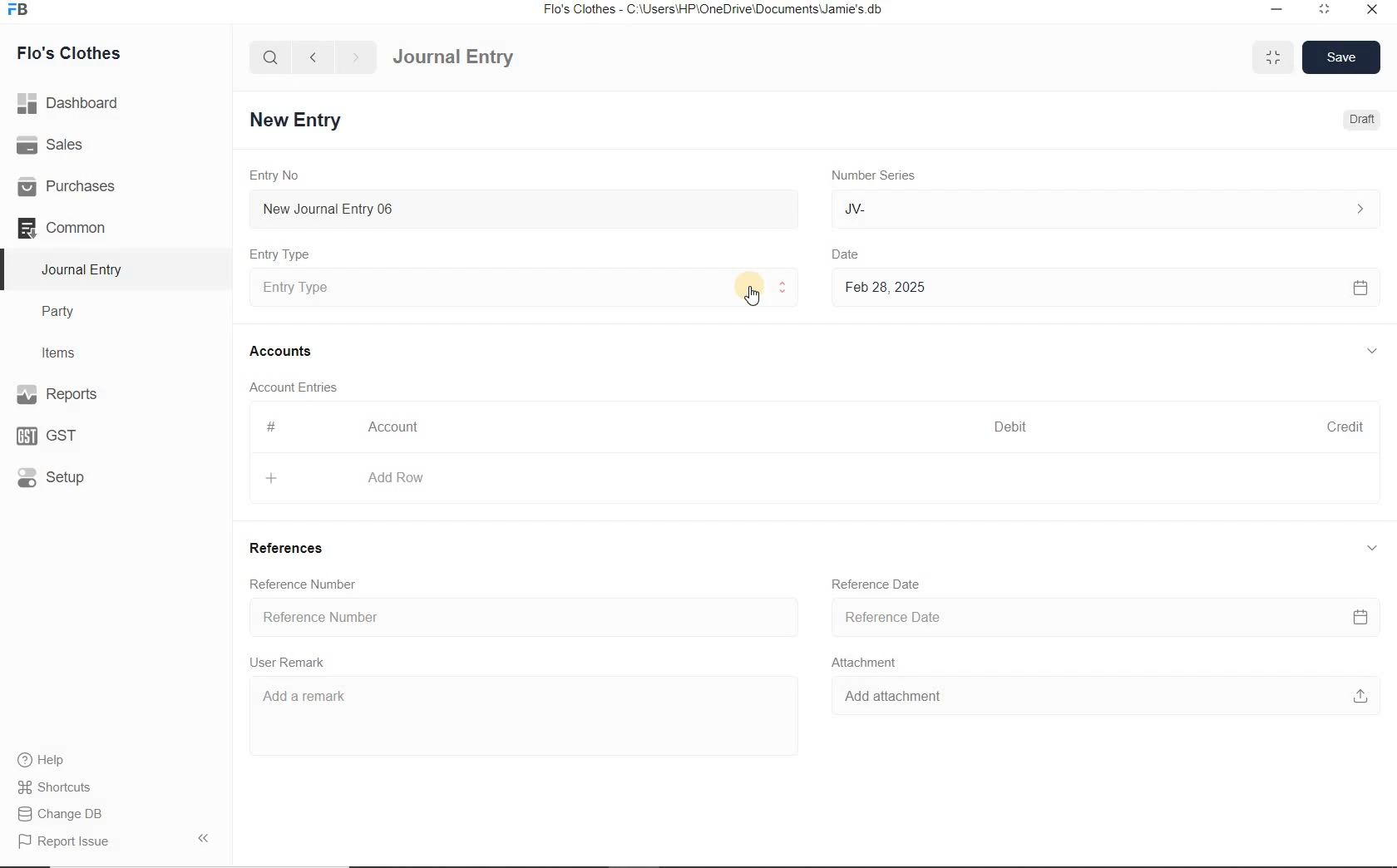 This screenshot has width=1397, height=868. Describe the element at coordinates (508, 702) in the screenshot. I see `Add a remark` at that location.